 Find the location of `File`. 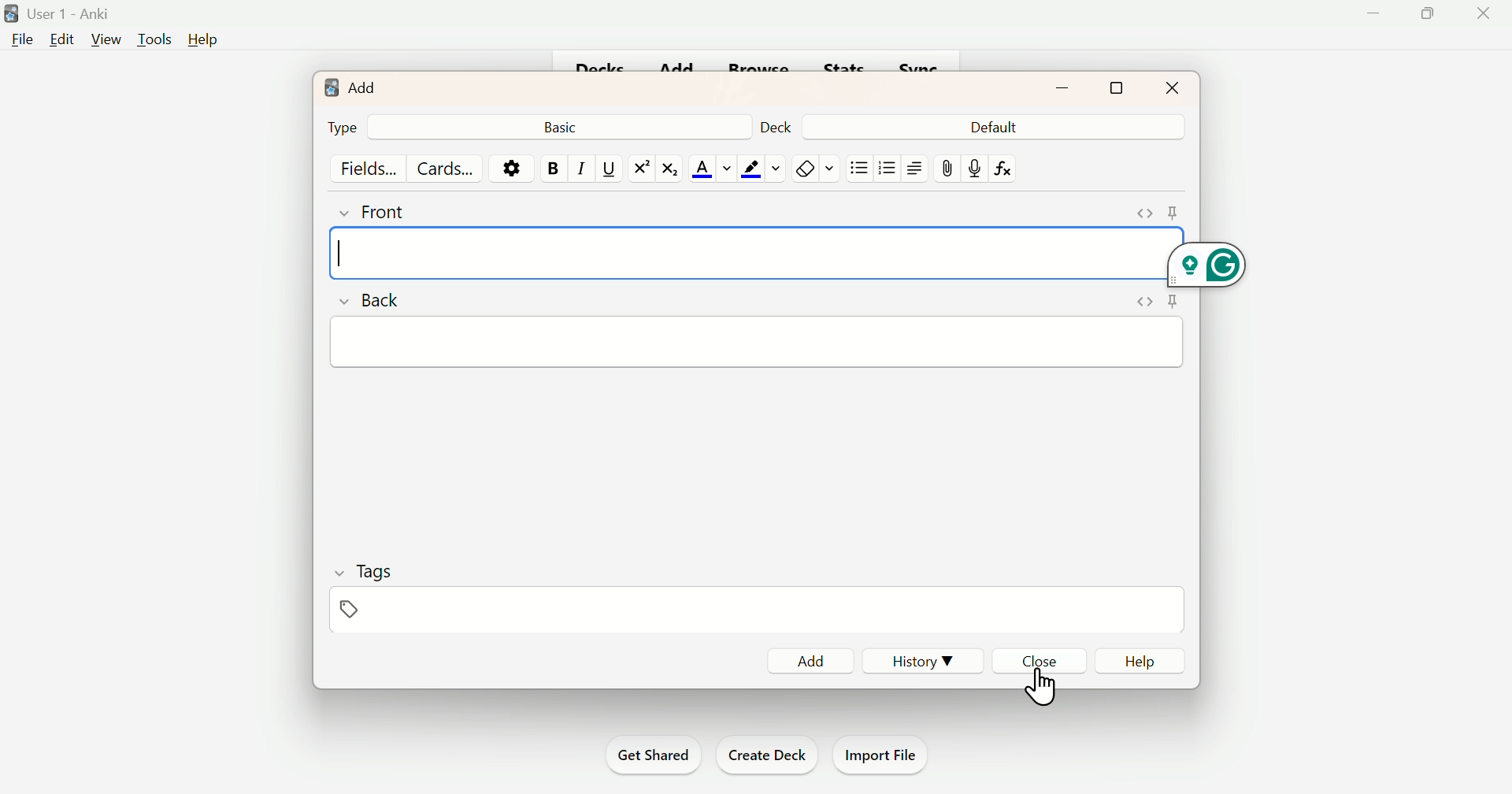

File is located at coordinates (21, 43).